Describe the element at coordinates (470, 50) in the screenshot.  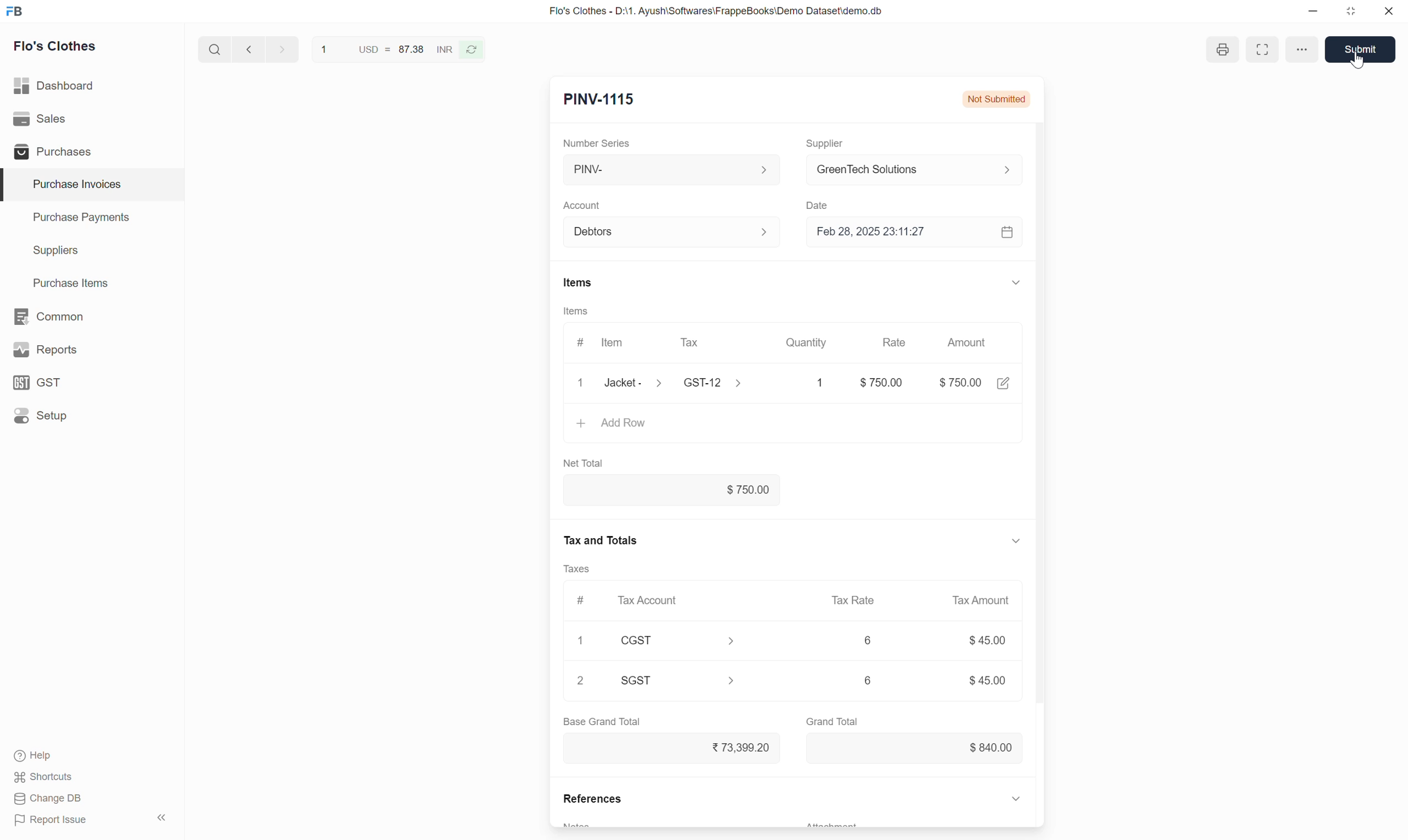
I see `Reverse` at that location.